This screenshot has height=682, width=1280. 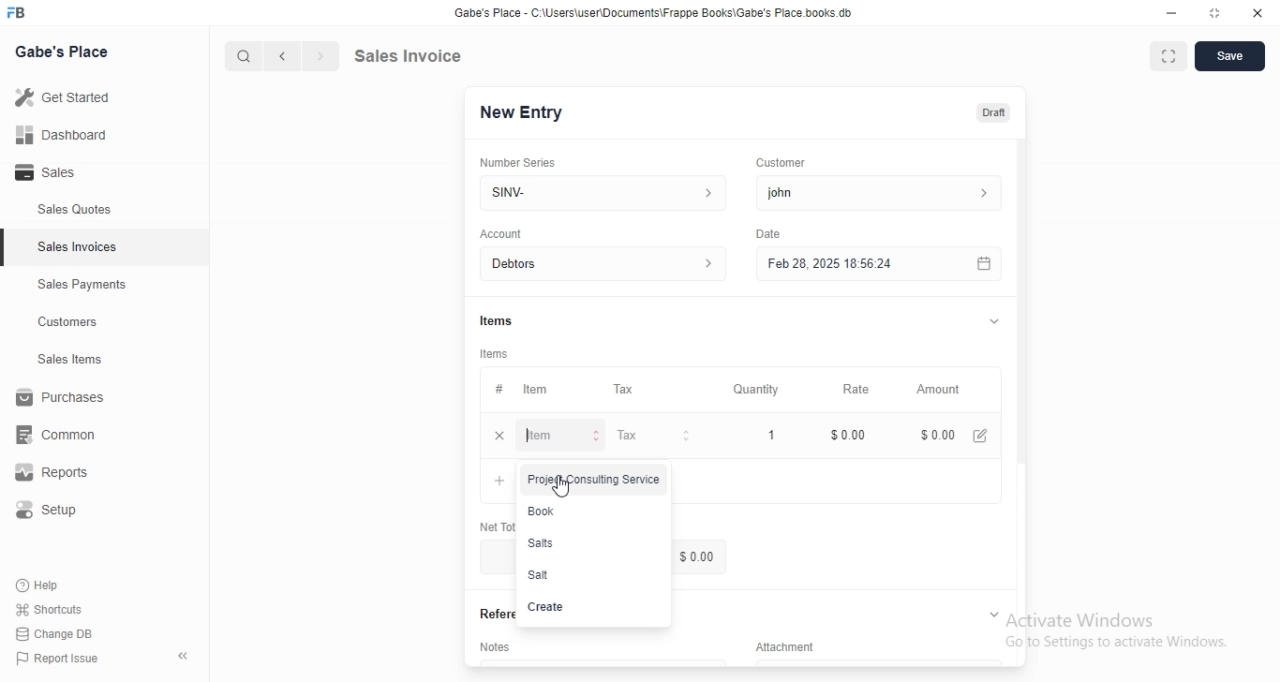 I want to click on PP Report Issue., so click(x=64, y=662).